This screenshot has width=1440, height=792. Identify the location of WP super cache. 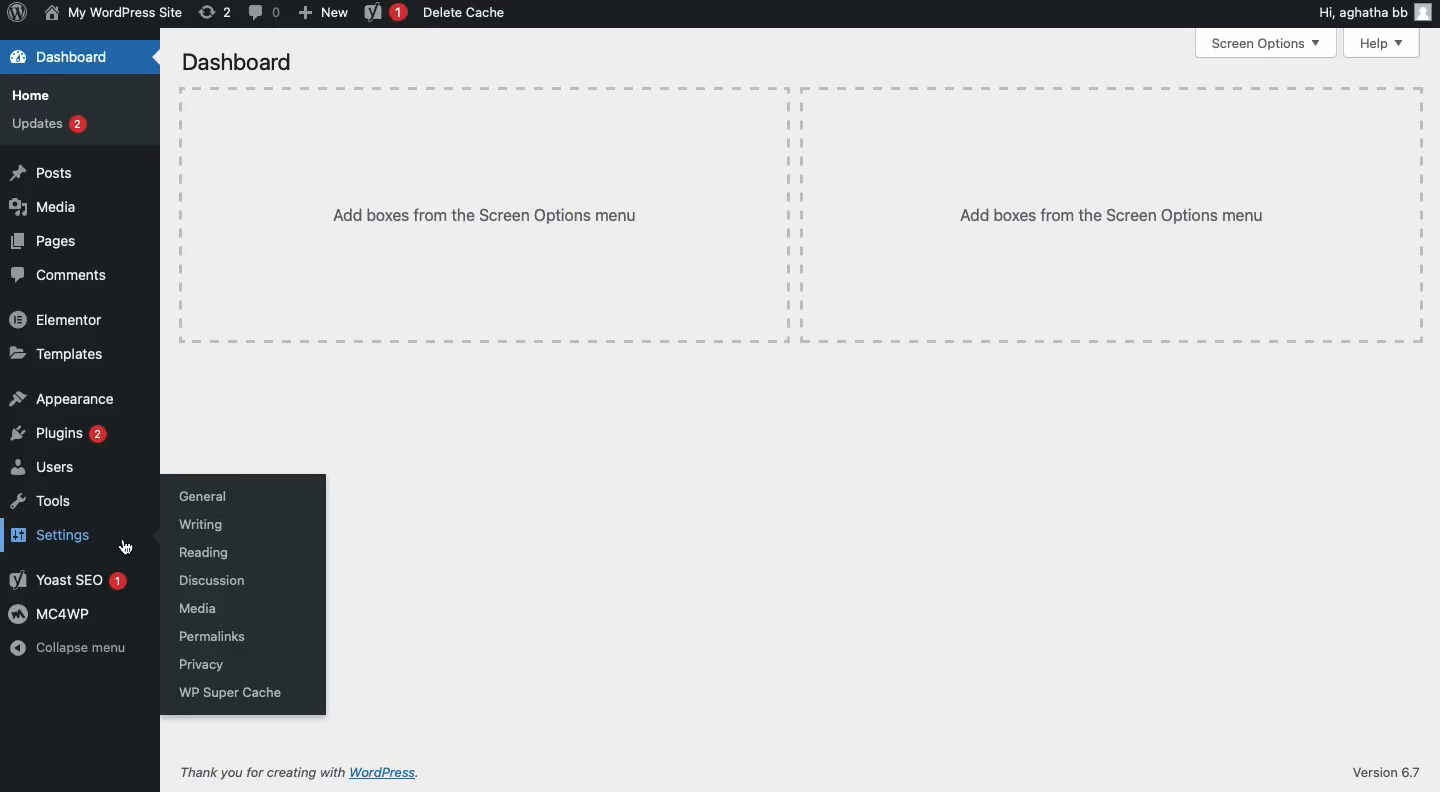
(229, 692).